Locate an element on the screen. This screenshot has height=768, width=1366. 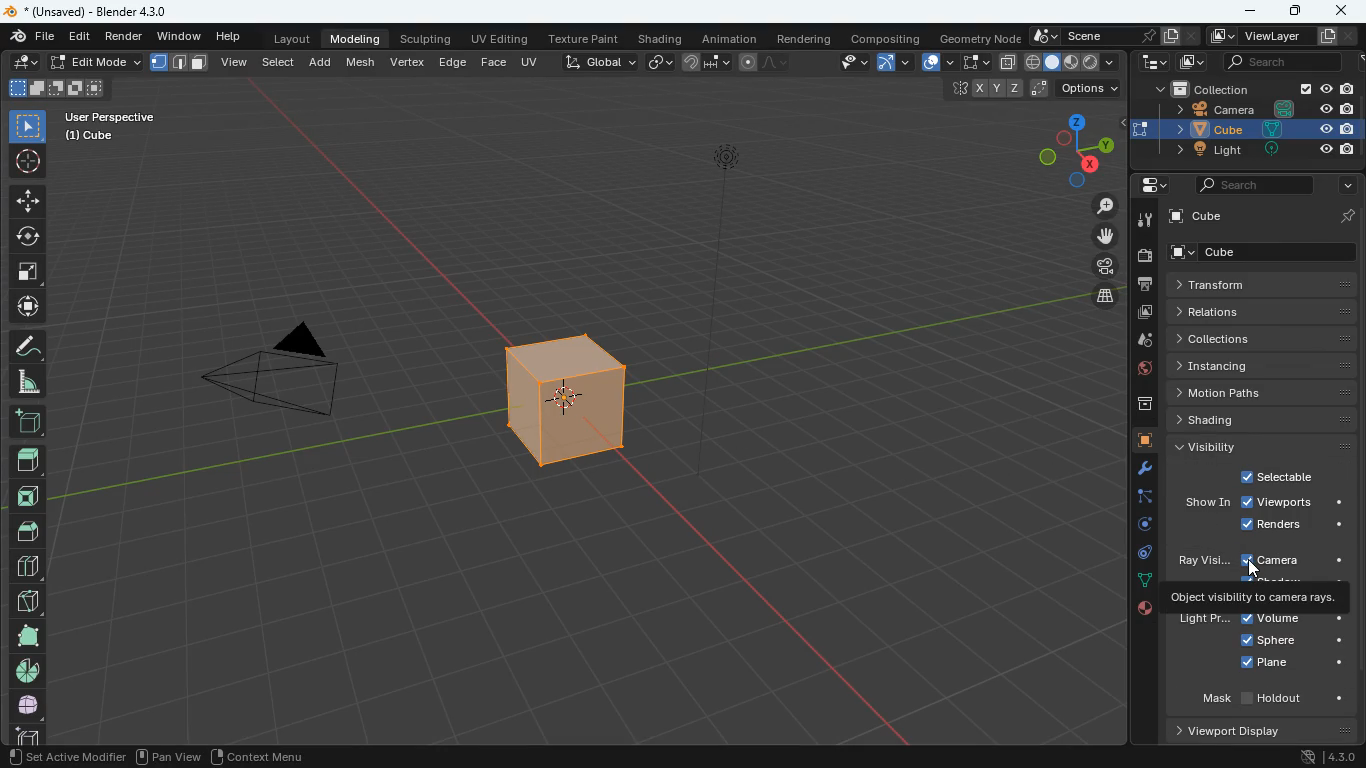
visibility is located at coordinates (1264, 445).